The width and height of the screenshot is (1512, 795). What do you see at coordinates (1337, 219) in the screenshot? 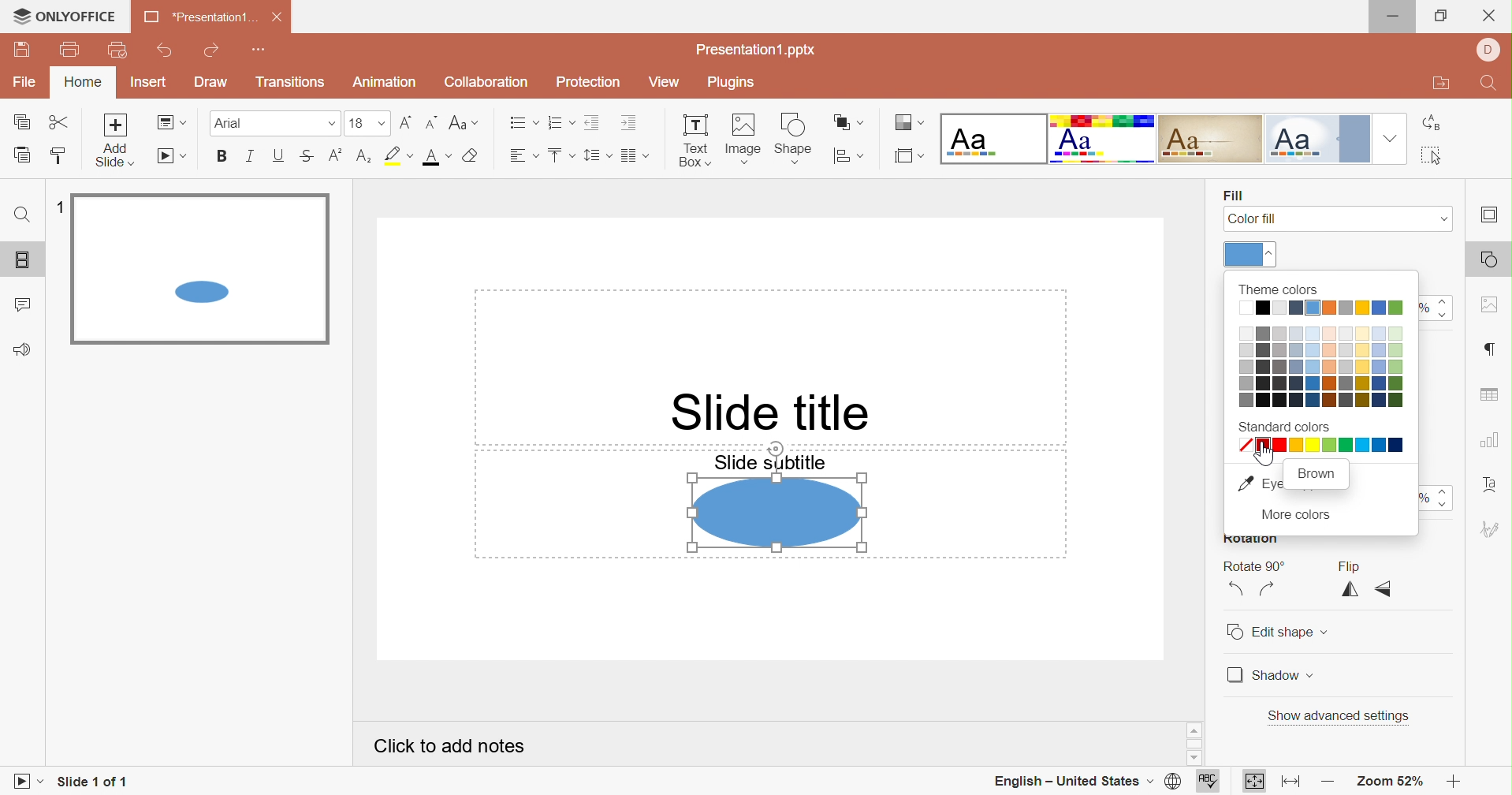
I see `Color fill` at bounding box center [1337, 219].